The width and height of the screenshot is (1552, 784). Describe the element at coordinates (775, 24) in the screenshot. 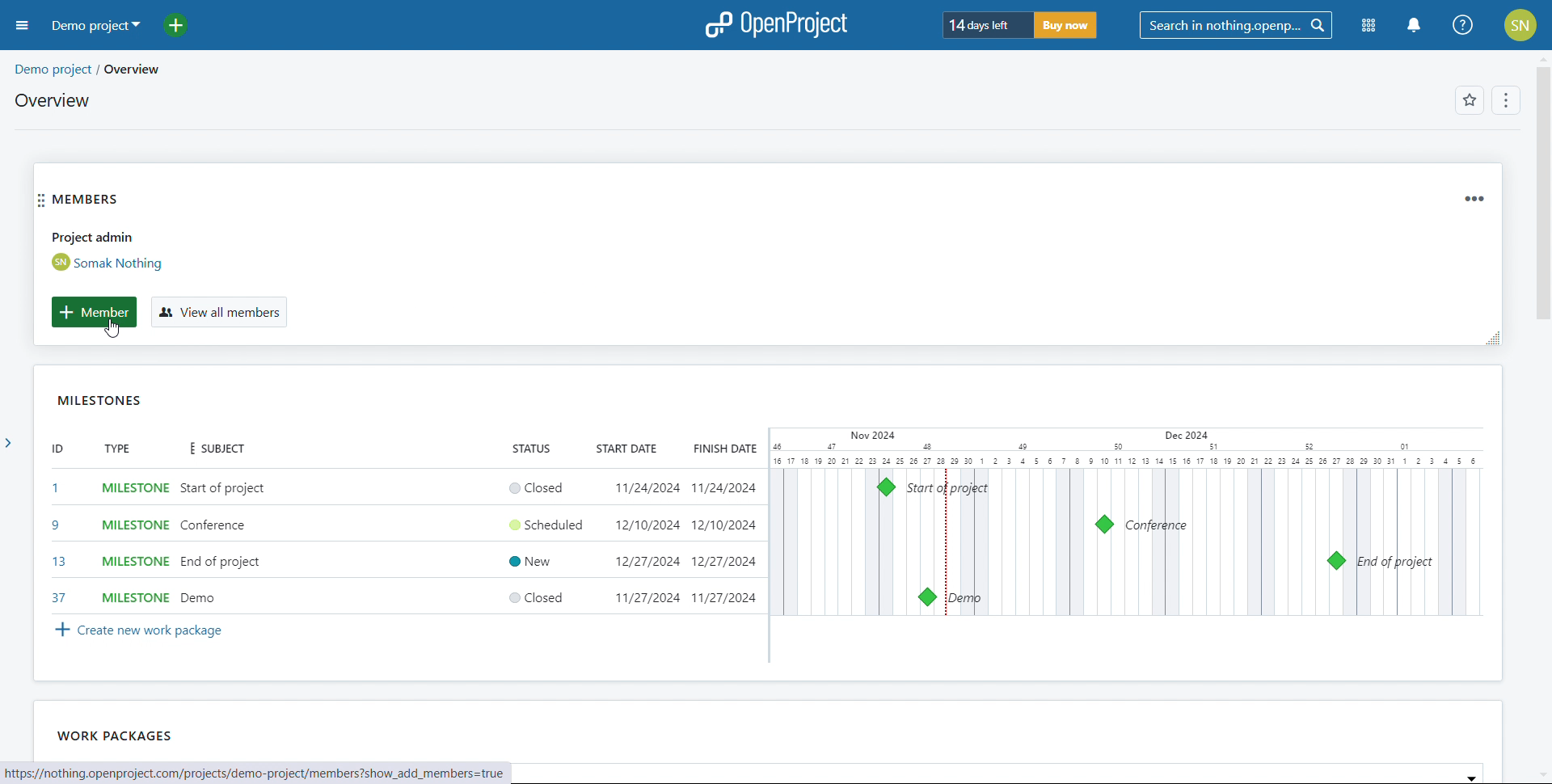

I see `open project` at that location.